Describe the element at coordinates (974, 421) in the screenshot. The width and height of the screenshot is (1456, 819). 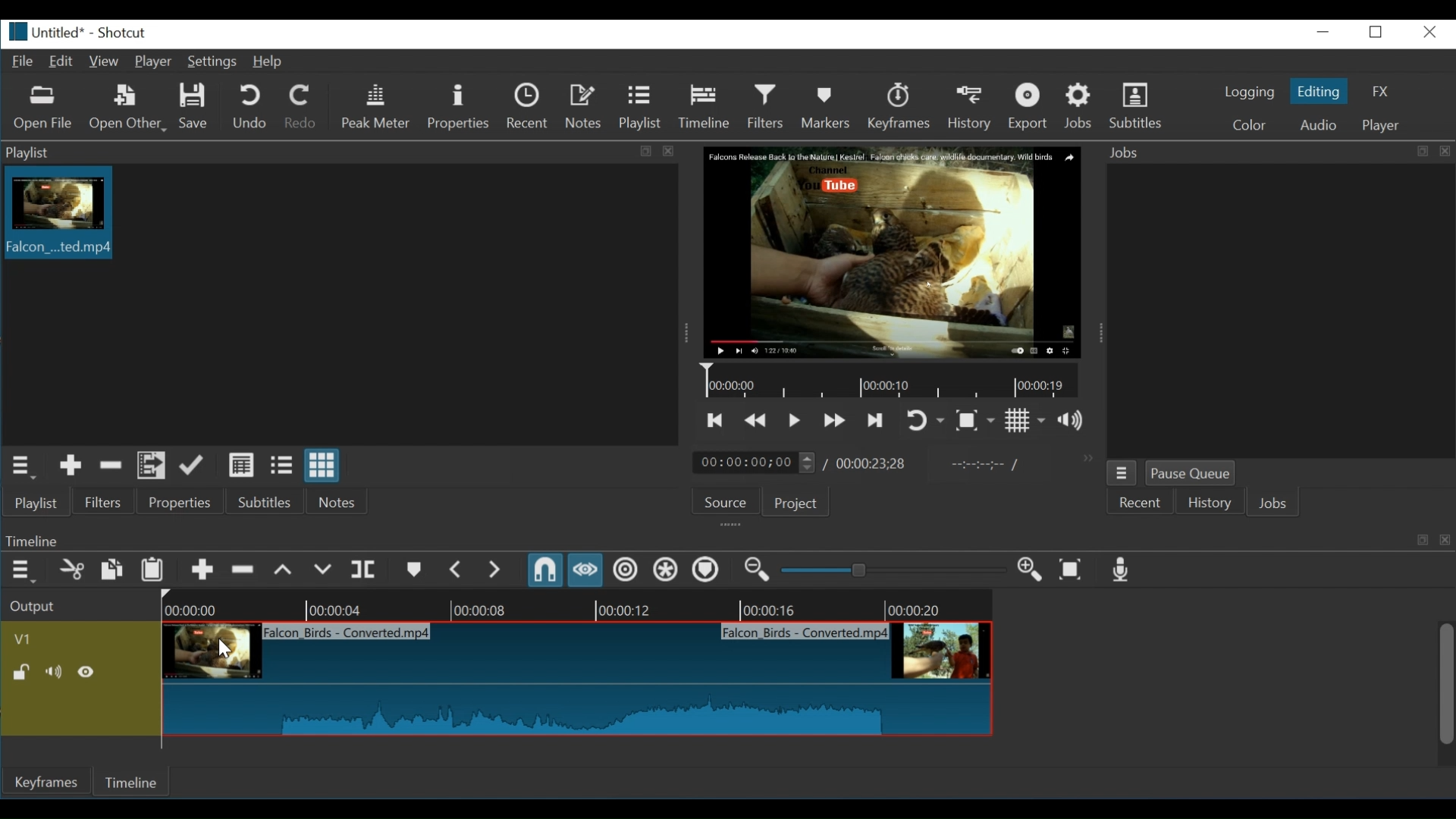
I see `Toggle zoom` at that location.